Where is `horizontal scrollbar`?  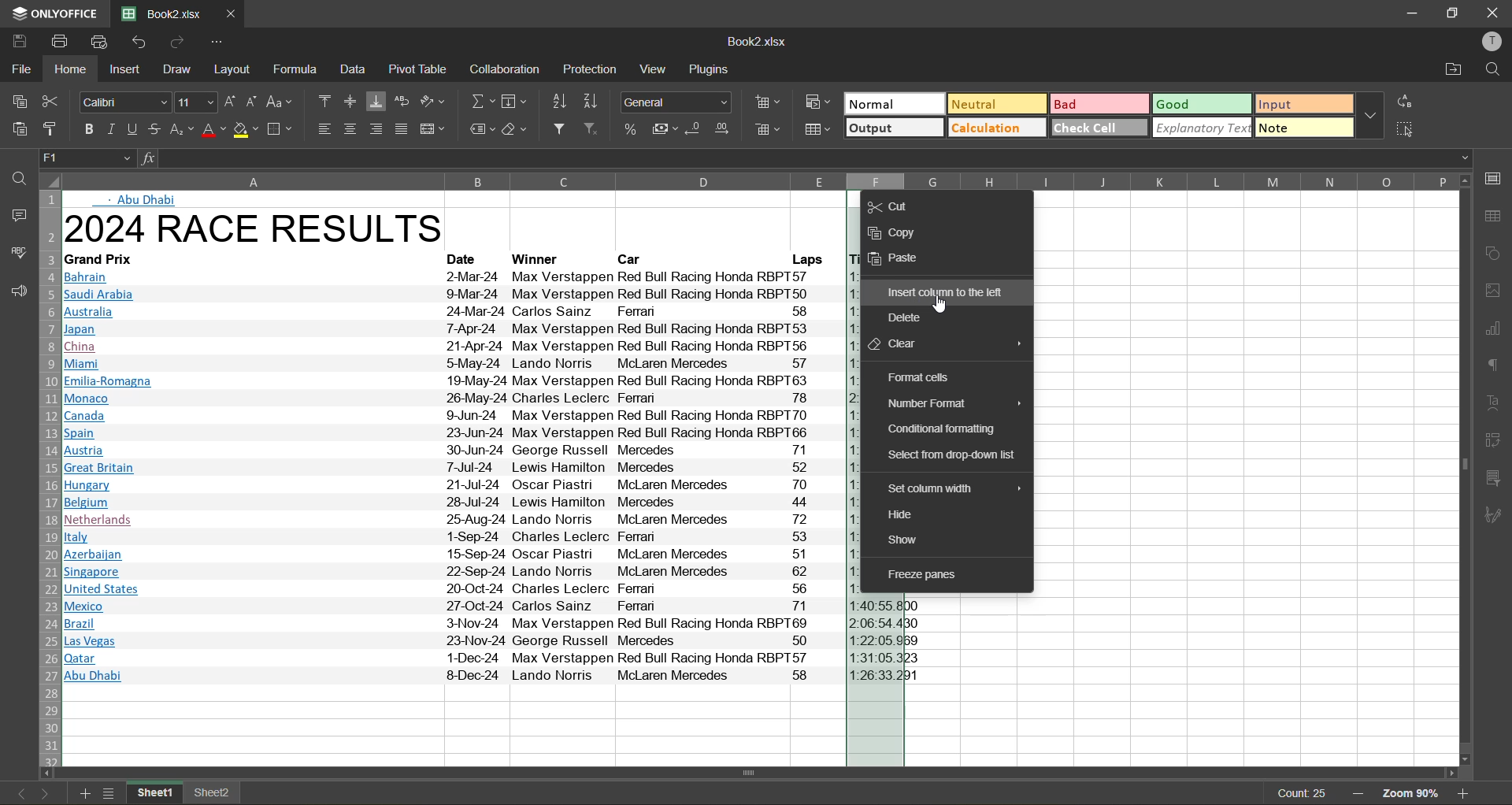
horizontal scrollbar is located at coordinates (748, 773).